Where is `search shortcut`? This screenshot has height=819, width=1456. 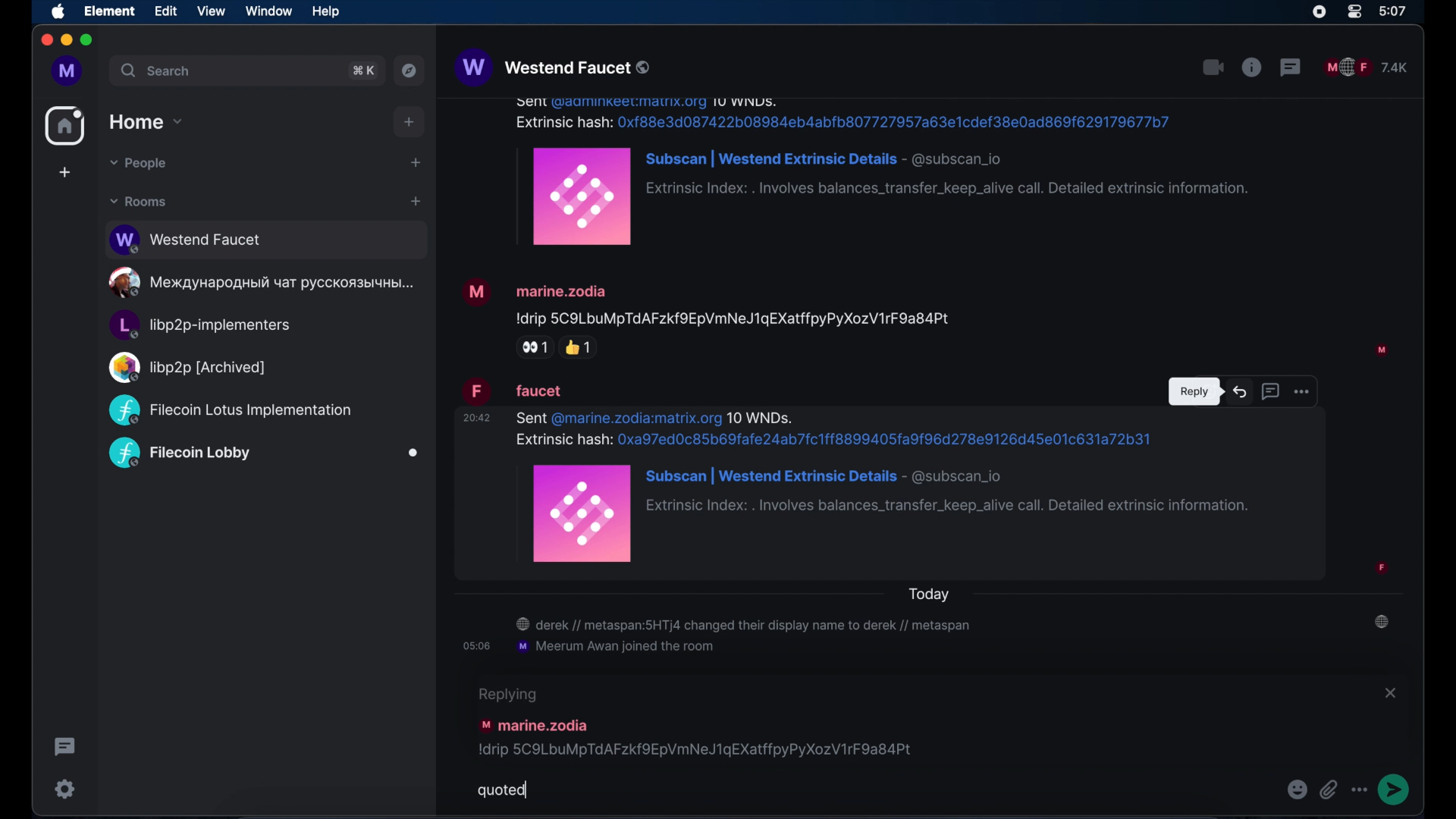
search shortcut is located at coordinates (363, 71).